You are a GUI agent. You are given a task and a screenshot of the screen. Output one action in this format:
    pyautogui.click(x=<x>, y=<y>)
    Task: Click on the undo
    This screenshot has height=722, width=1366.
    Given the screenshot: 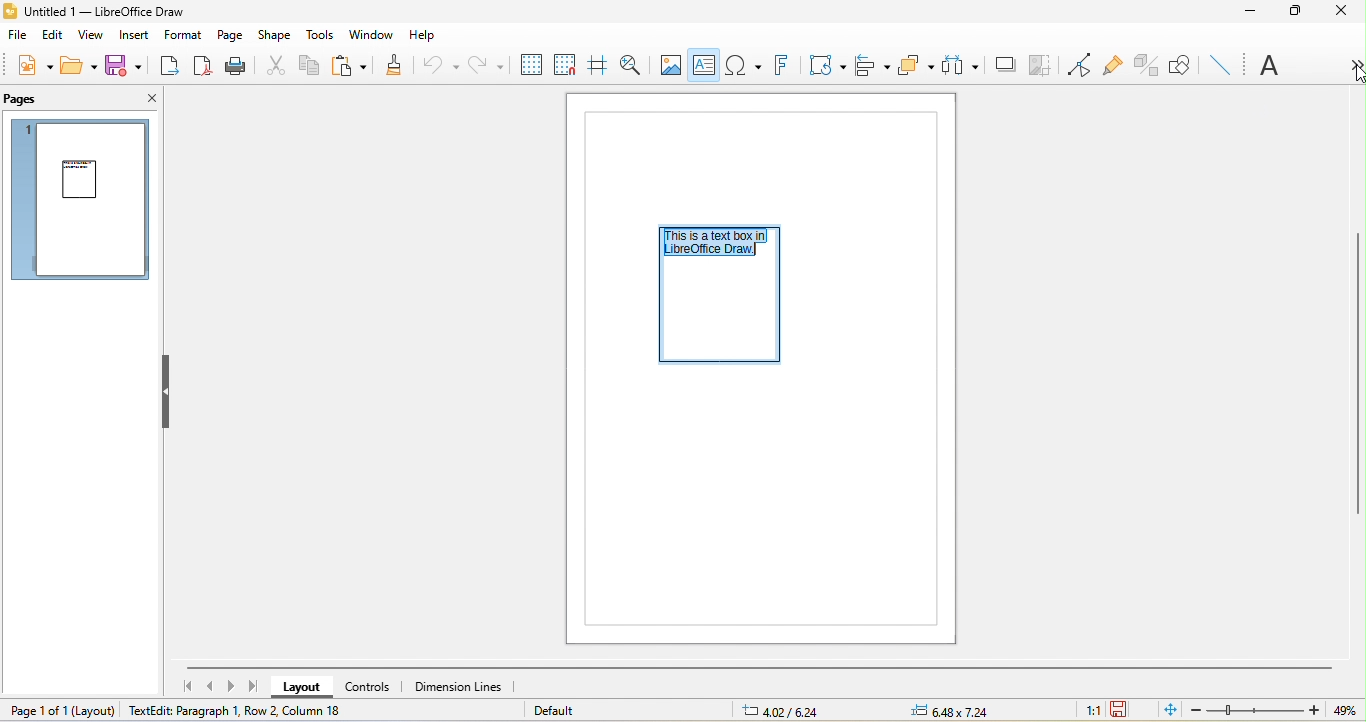 What is the action you would take?
    pyautogui.click(x=444, y=65)
    